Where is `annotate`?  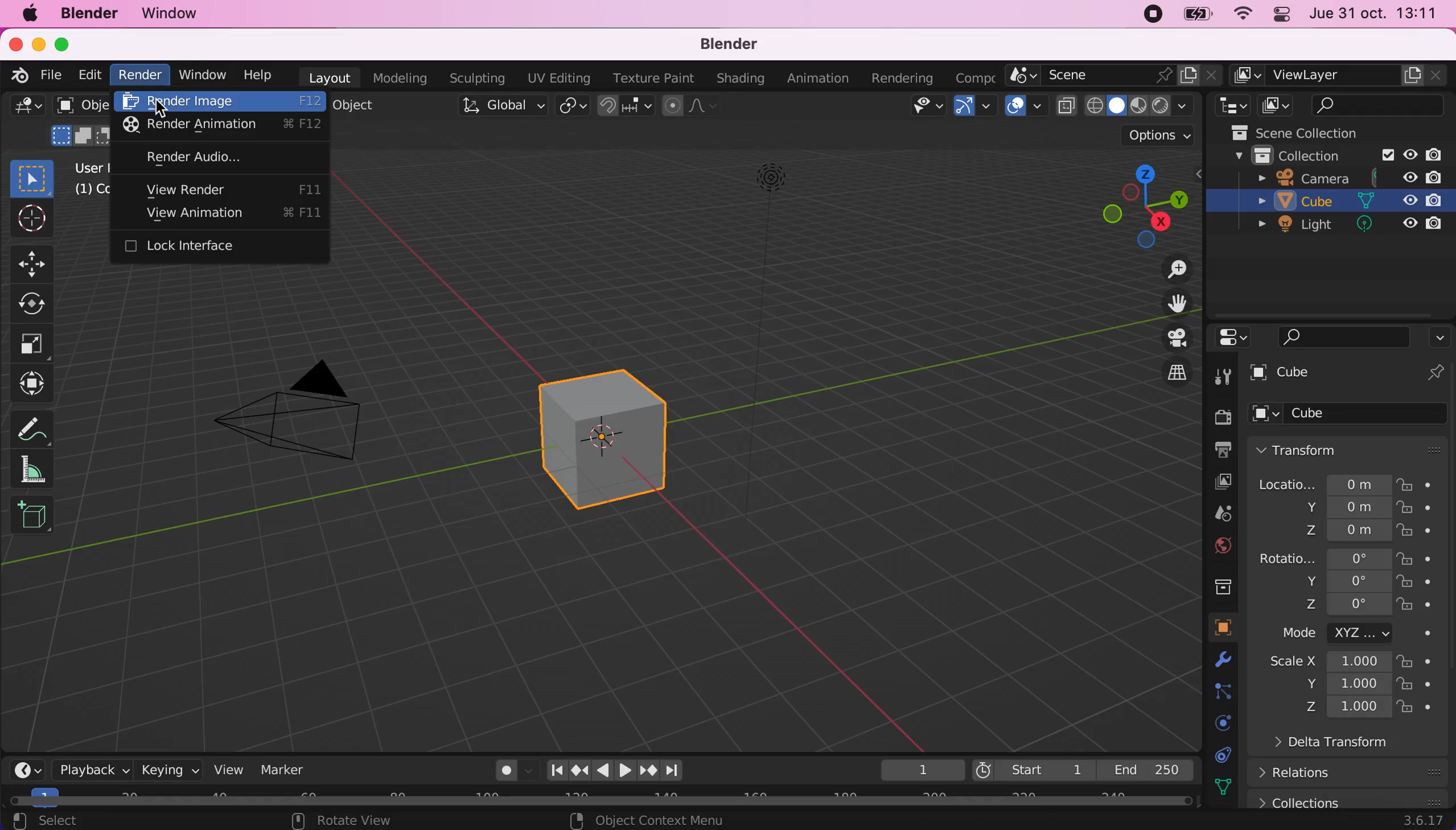
annotate is located at coordinates (48, 431).